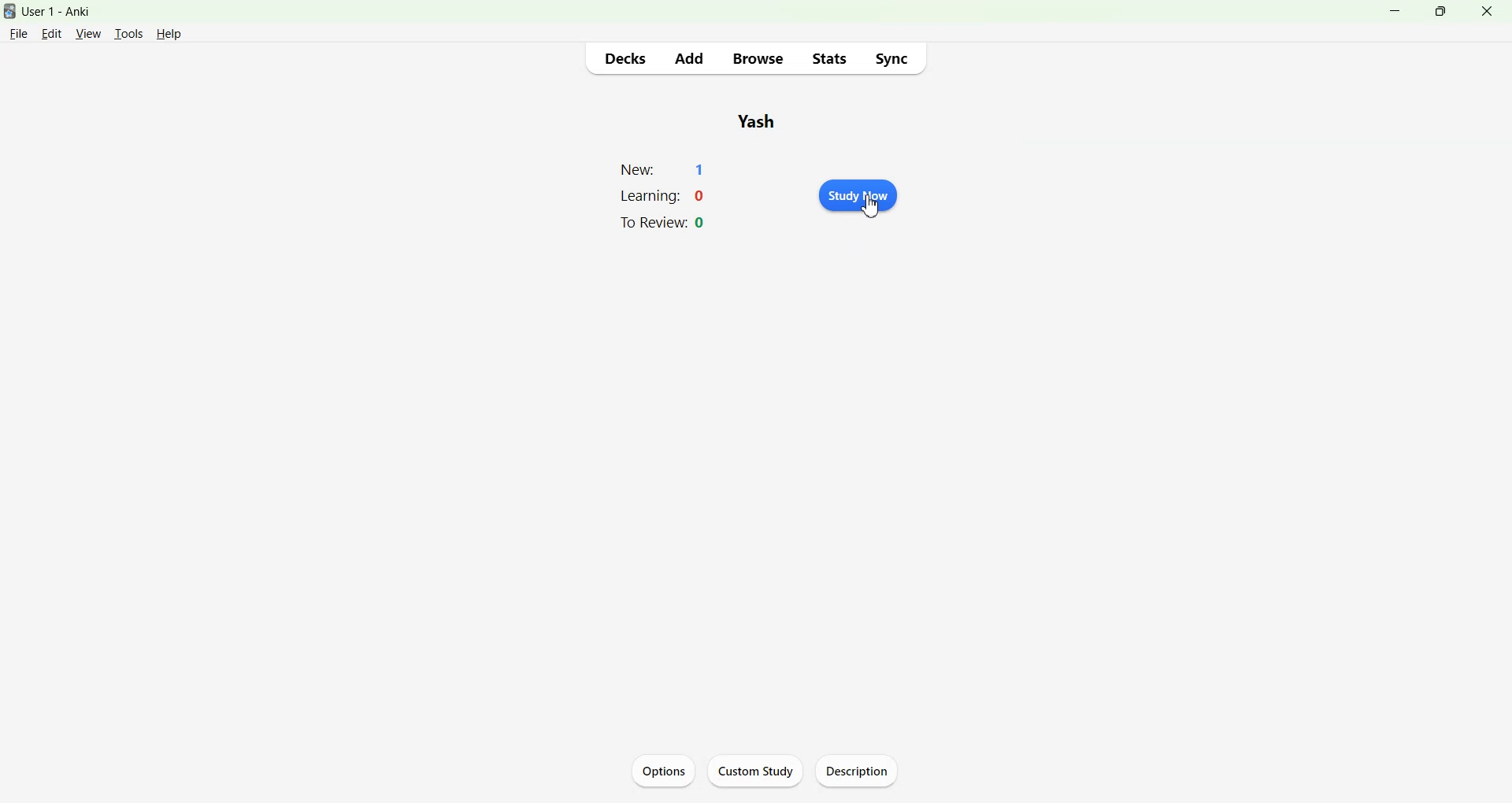 This screenshot has width=1512, height=803. Describe the element at coordinates (760, 770) in the screenshot. I see `Custom Study` at that location.